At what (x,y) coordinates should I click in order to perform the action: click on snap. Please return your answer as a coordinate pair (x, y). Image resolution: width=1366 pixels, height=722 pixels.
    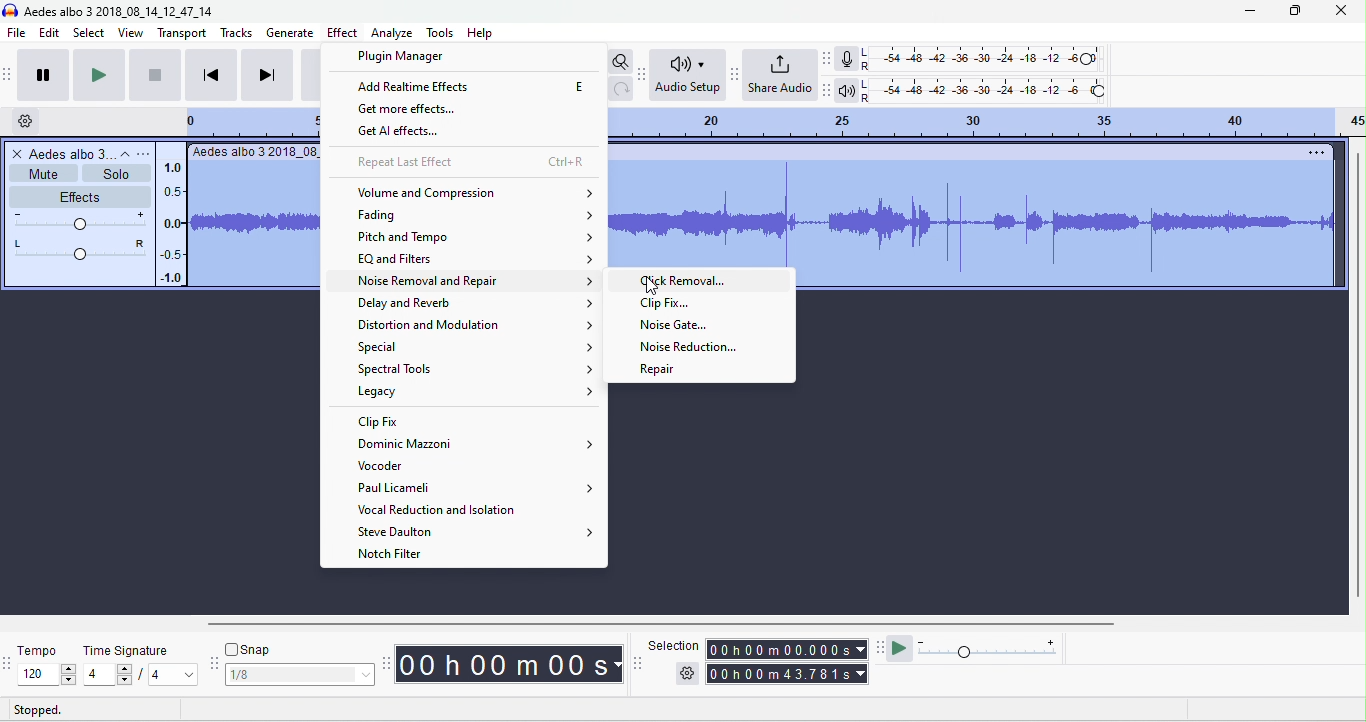
    Looking at the image, I should click on (251, 649).